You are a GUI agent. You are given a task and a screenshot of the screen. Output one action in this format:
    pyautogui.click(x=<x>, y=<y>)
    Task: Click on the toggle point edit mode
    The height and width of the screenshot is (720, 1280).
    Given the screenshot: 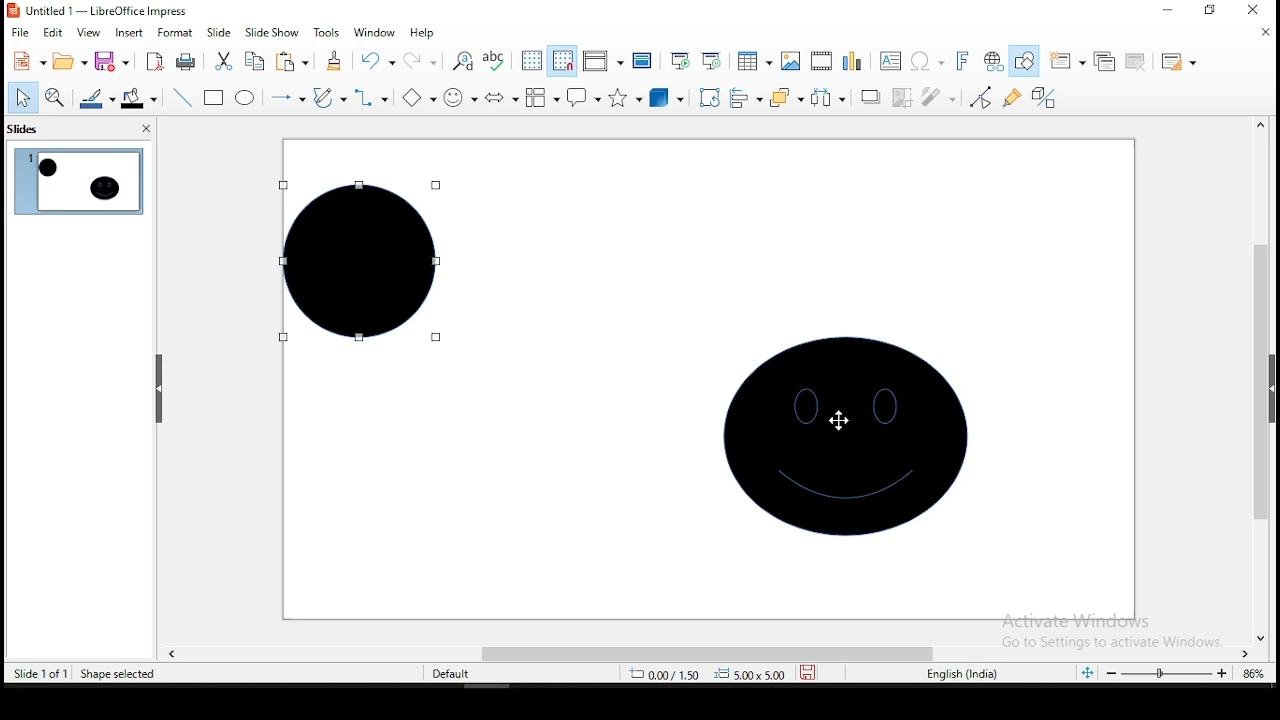 What is the action you would take?
    pyautogui.click(x=981, y=96)
    